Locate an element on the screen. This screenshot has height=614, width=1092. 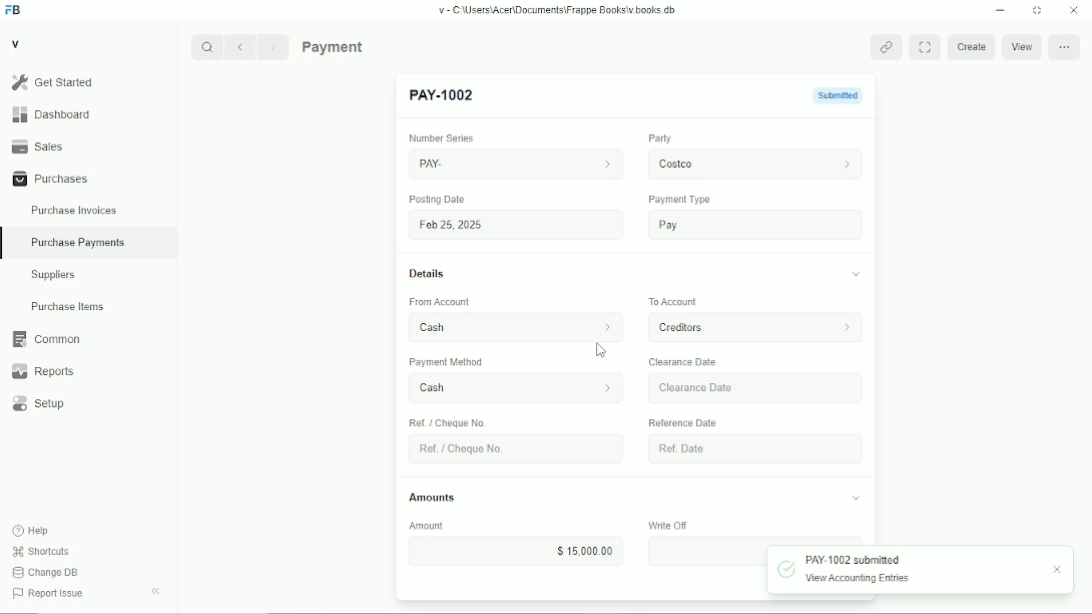
Shortcuts is located at coordinates (41, 552).